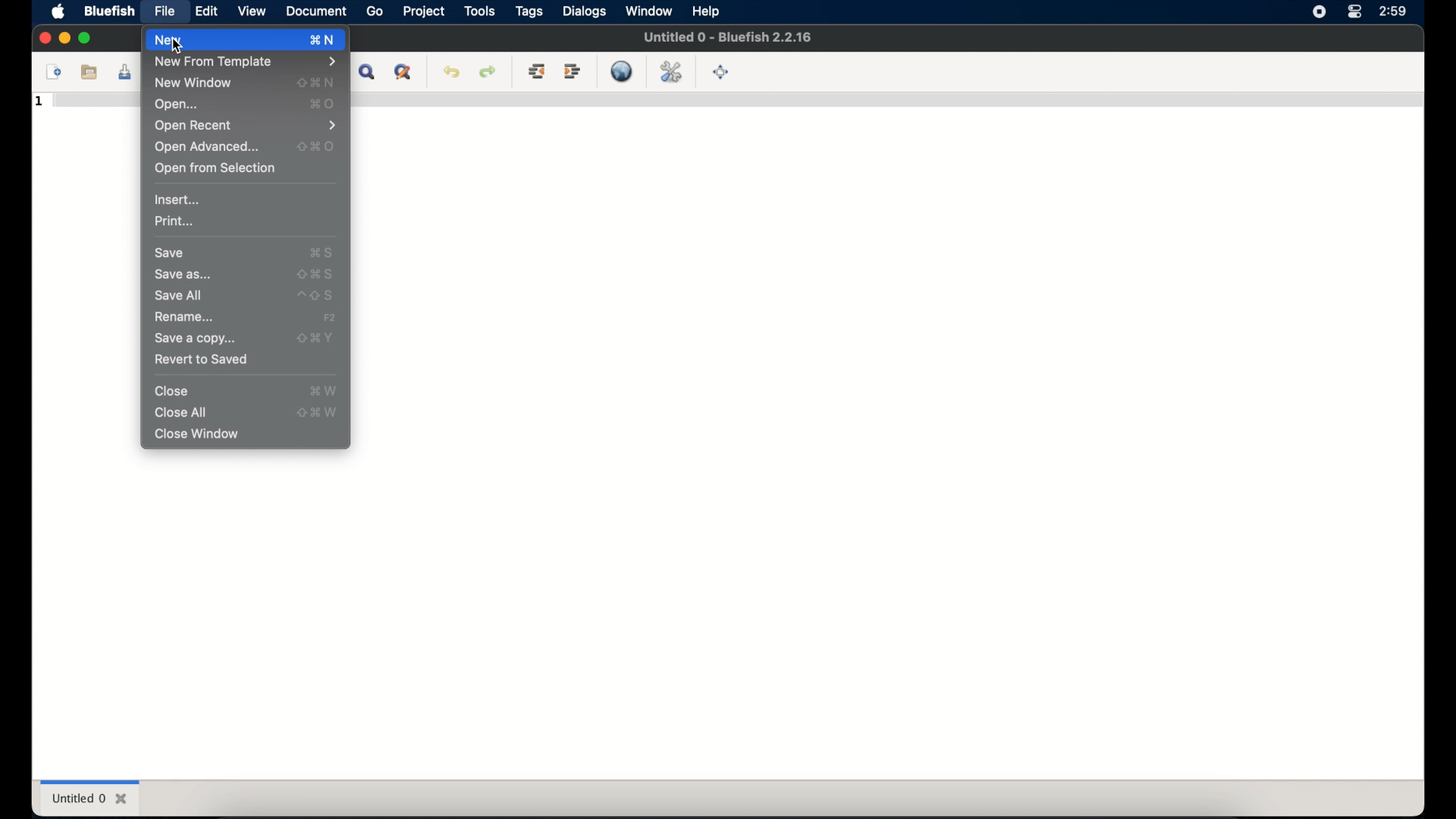 The image size is (1456, 819). Describe the element at coordinates (375, 12) in the screenshot. I see `go` at that location.